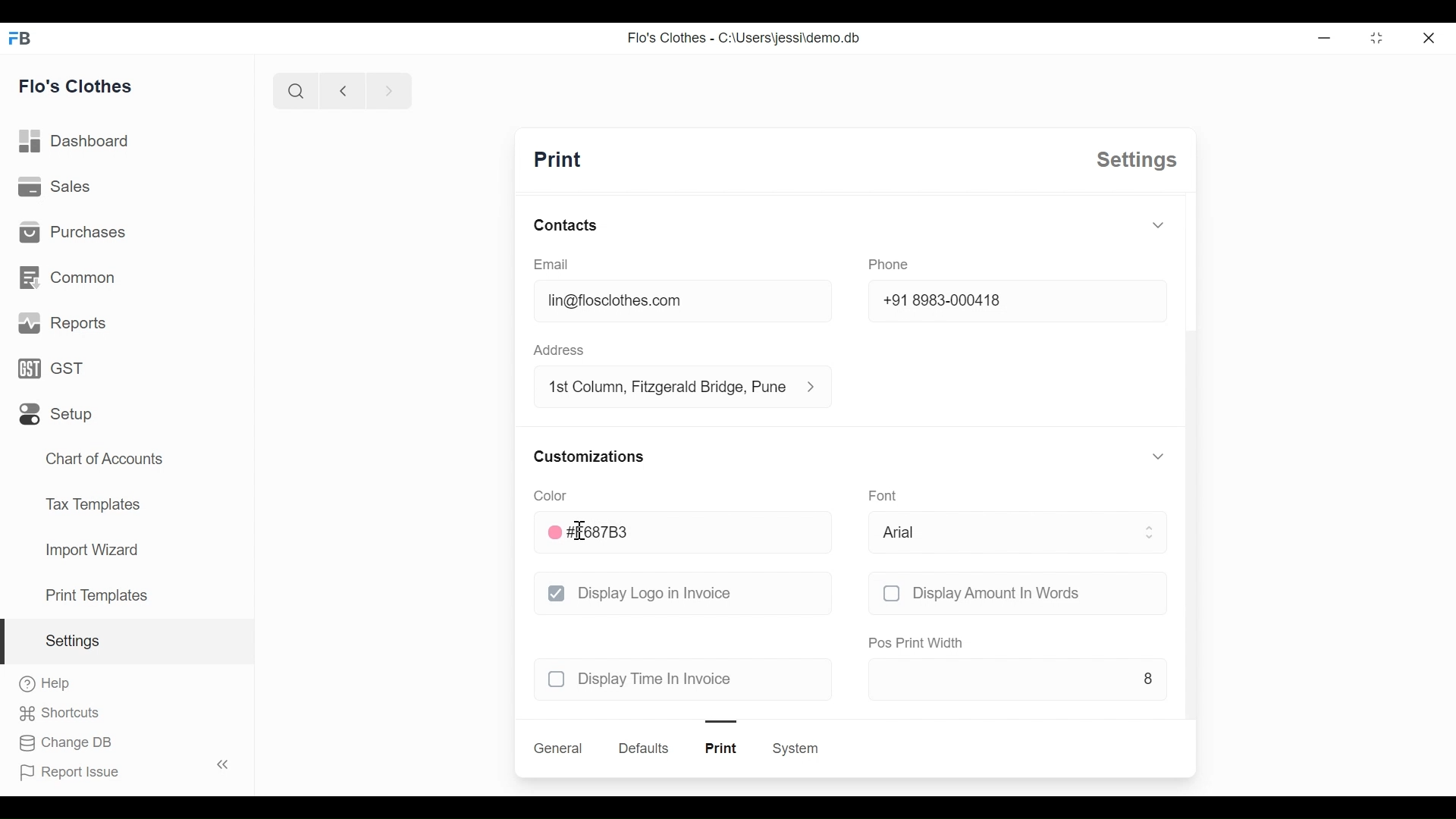  Describe the element at coordinates (1156, 457) in the screenshot. I see `toggle expand/collapse` at that location.